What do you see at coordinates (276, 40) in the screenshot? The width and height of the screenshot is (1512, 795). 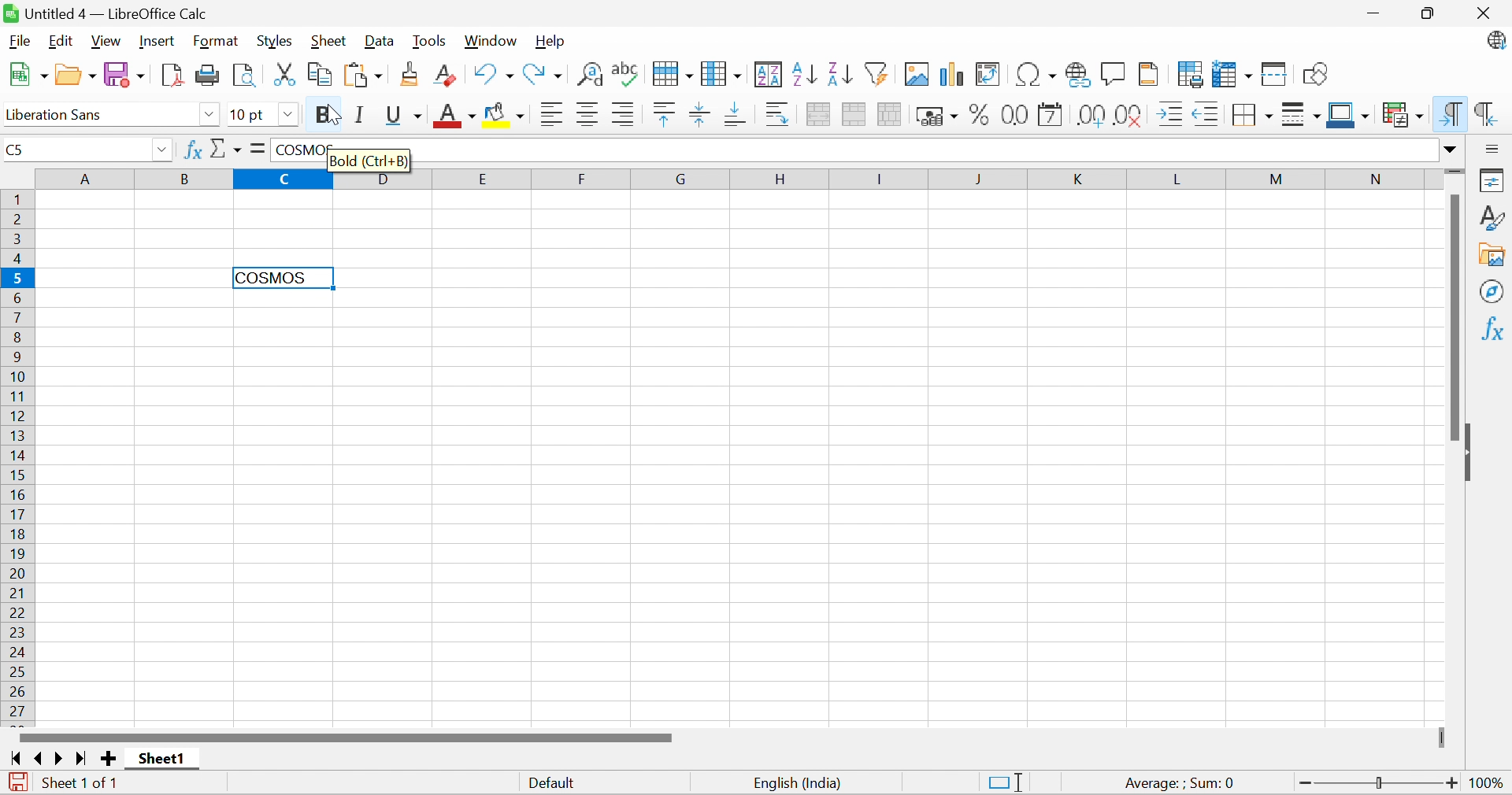 I see `Styles` at bounding box center [276, 40].